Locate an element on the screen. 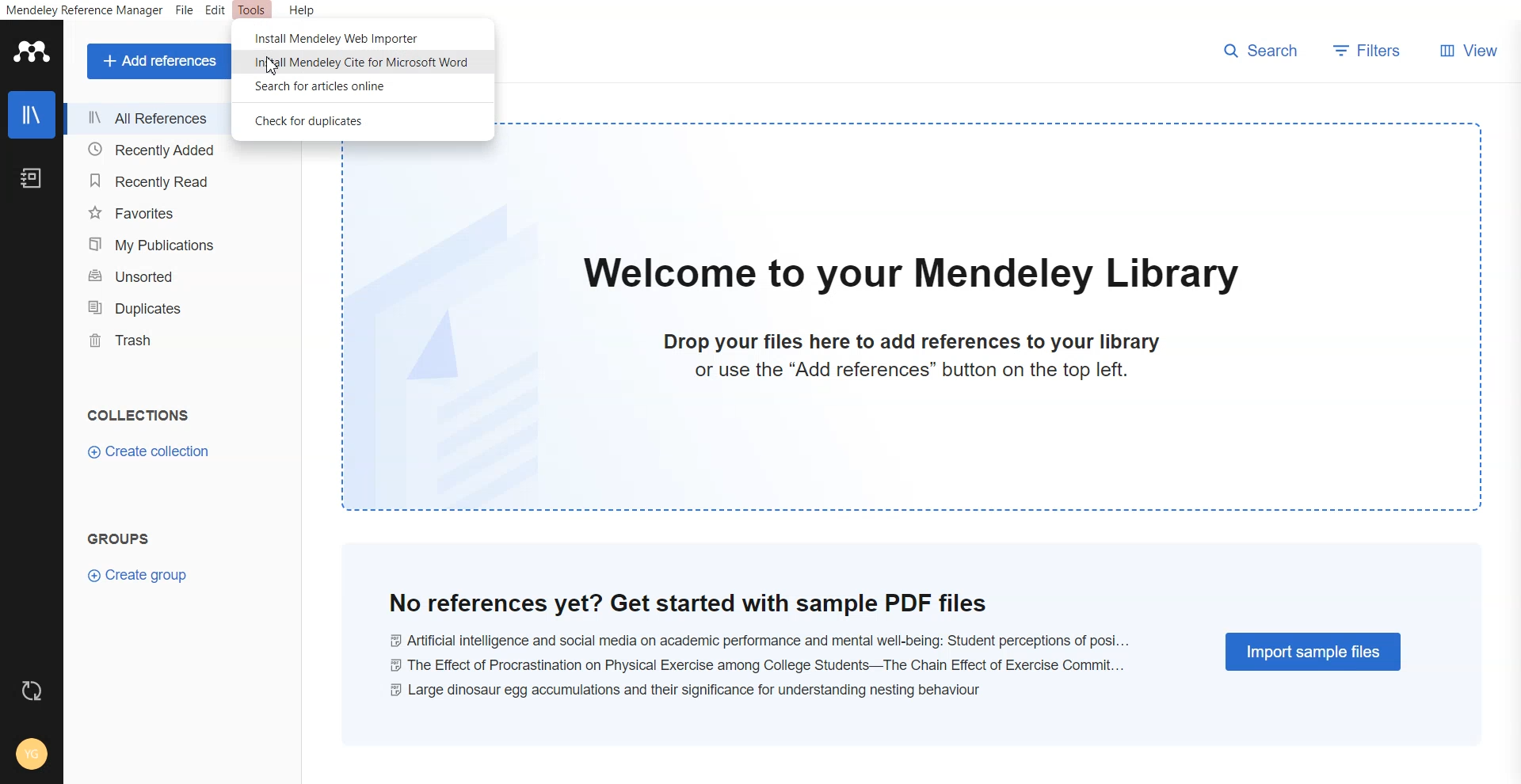 This screenshot has height=784, width=1521. or use the "Add references" button on the top left. is located at coordinates (911, 370).